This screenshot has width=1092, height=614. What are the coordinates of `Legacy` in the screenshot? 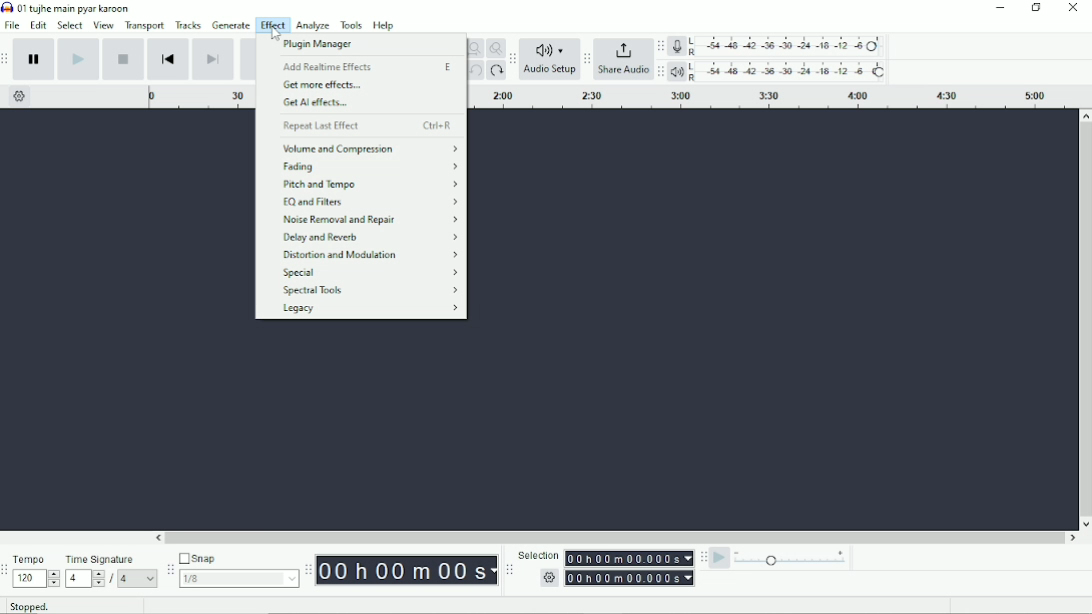 It's located at (369, 310).